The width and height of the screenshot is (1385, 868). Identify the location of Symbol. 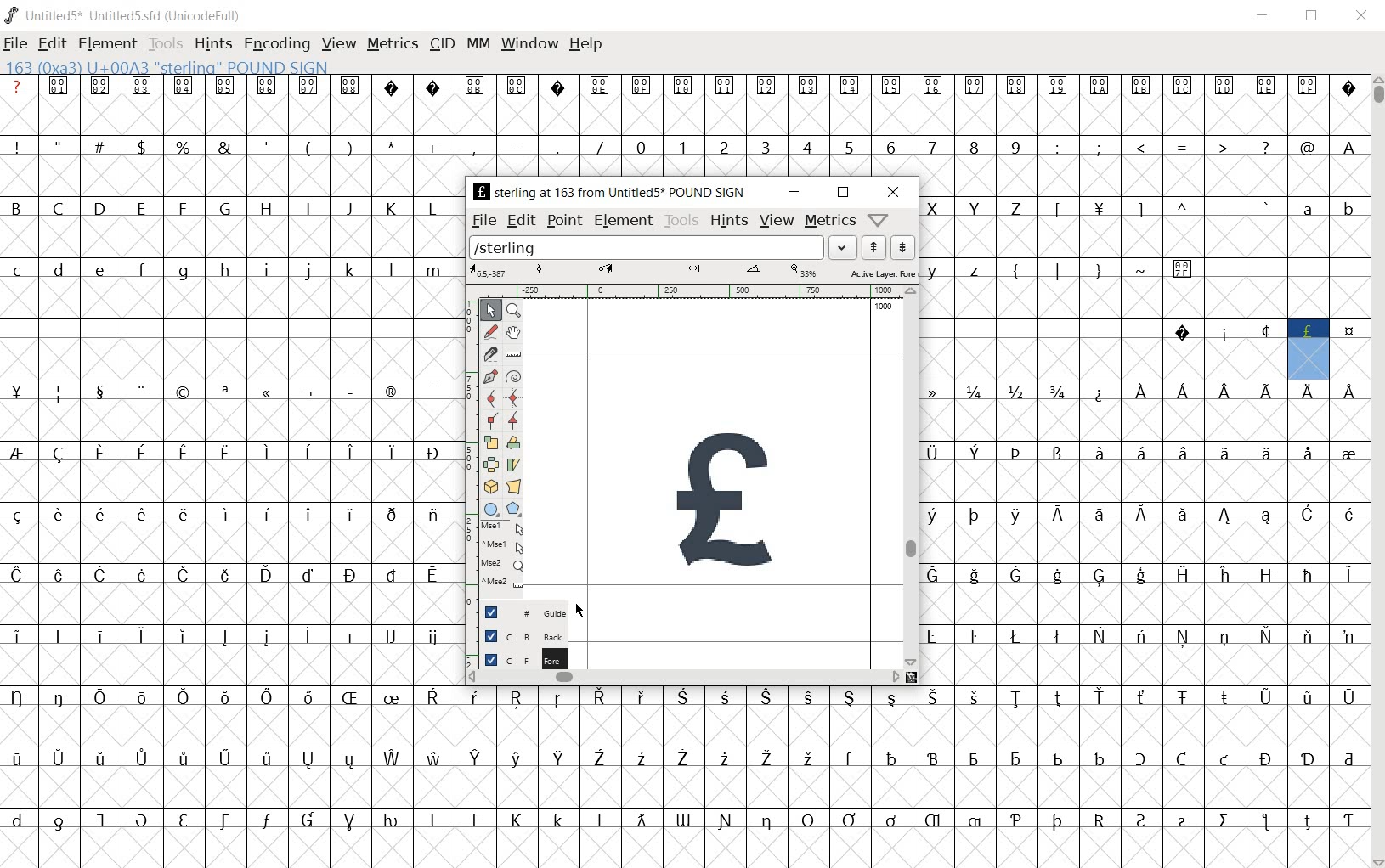
(892, 758).